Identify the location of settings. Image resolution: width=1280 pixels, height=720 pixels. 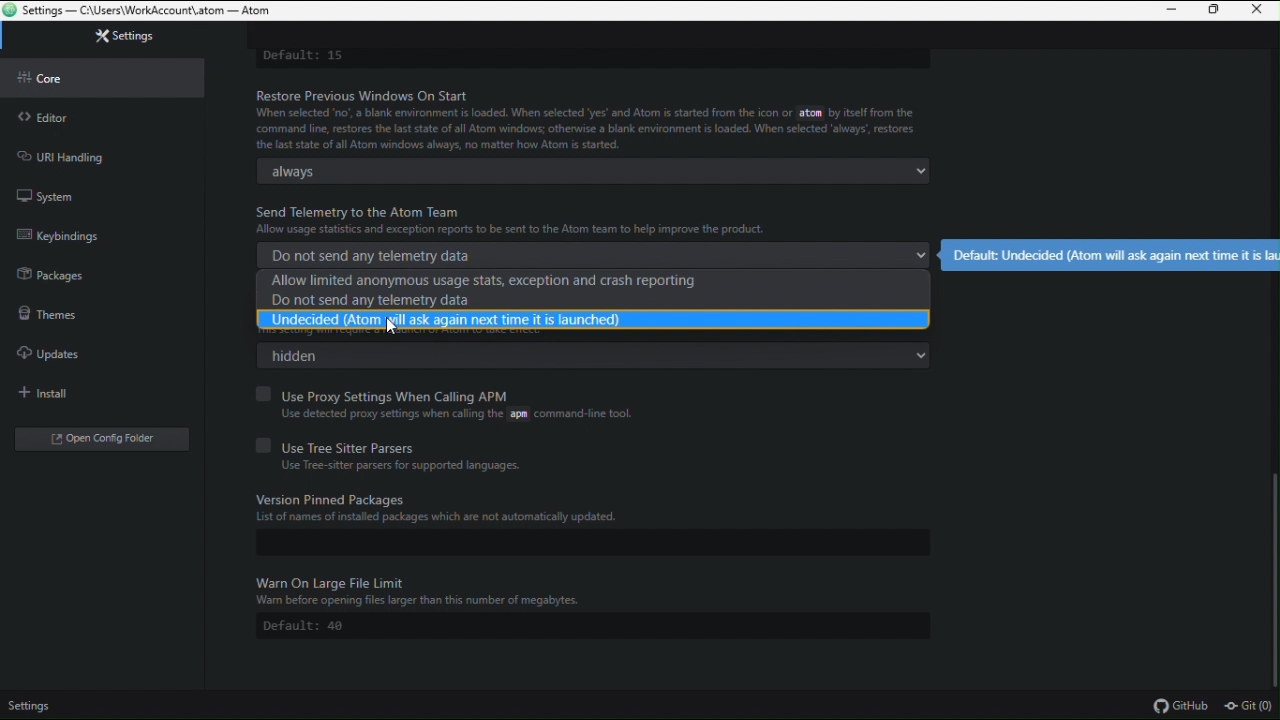
(104, 41).